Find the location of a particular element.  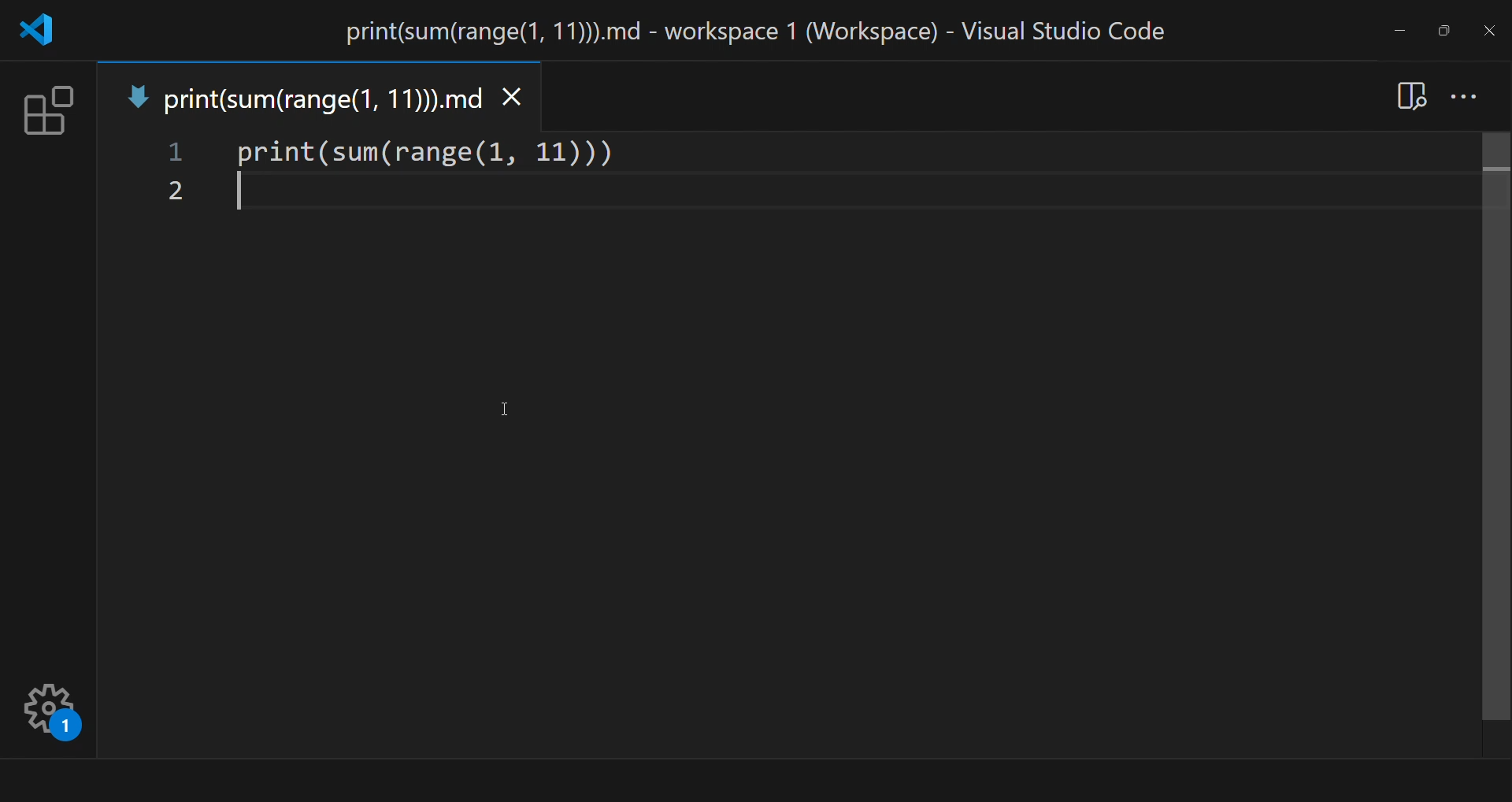

tab name is located at coordinates (302, 95).